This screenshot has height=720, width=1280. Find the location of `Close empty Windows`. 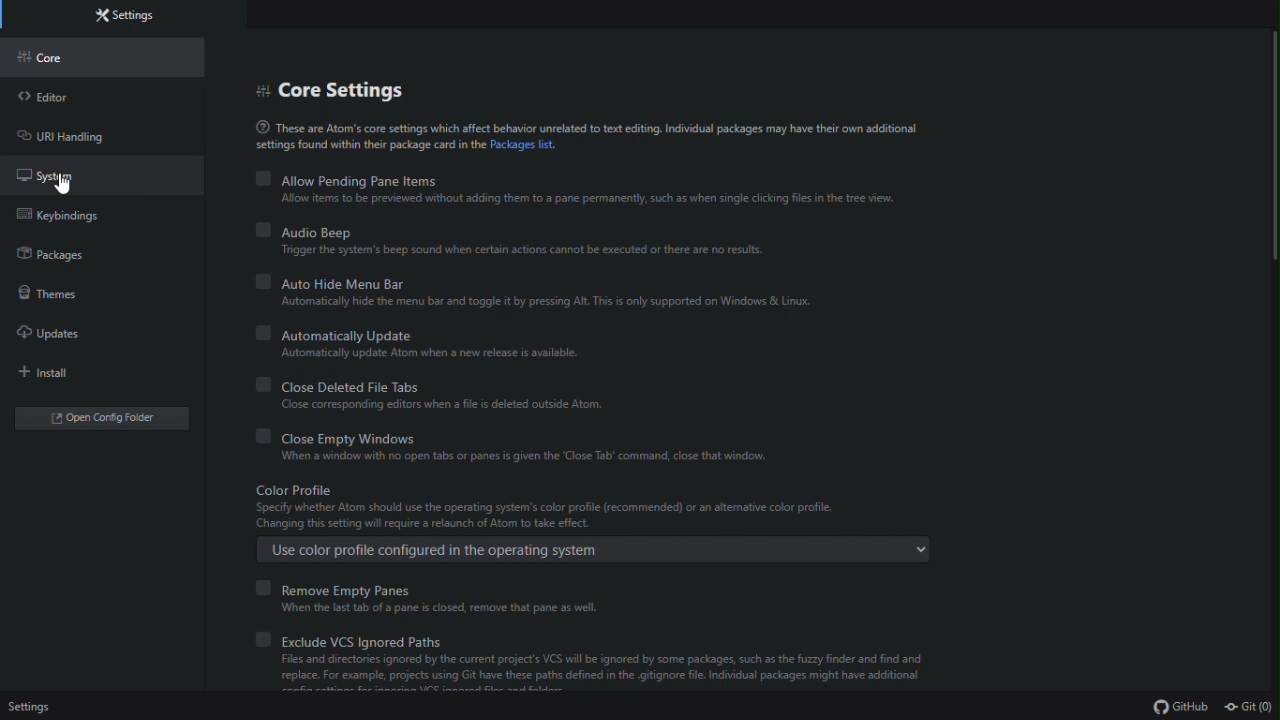

Close empty Windows is located at coordinates (529, 437).